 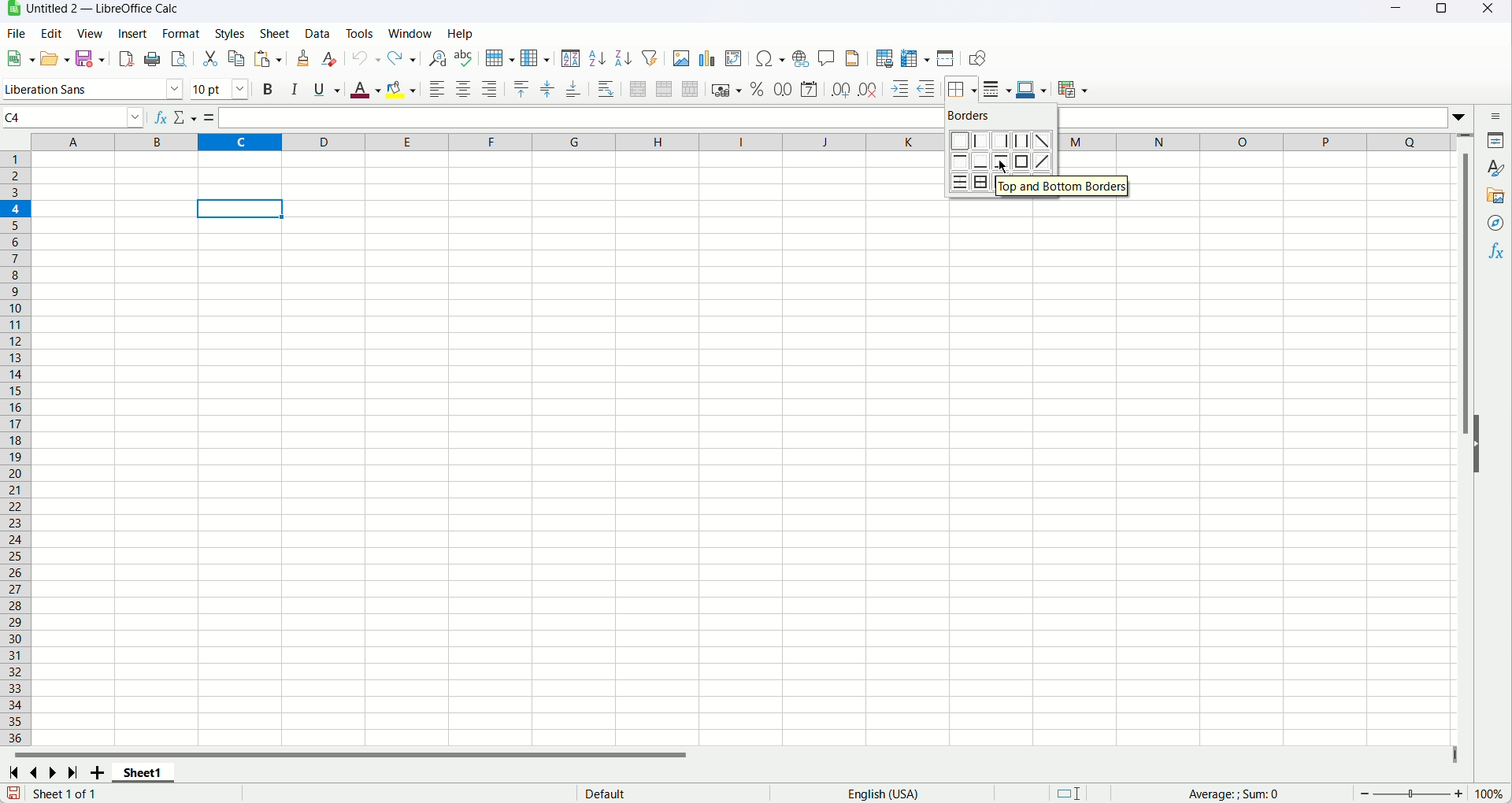 I want to click on All horizontal lines, so click(x=962, y=183).